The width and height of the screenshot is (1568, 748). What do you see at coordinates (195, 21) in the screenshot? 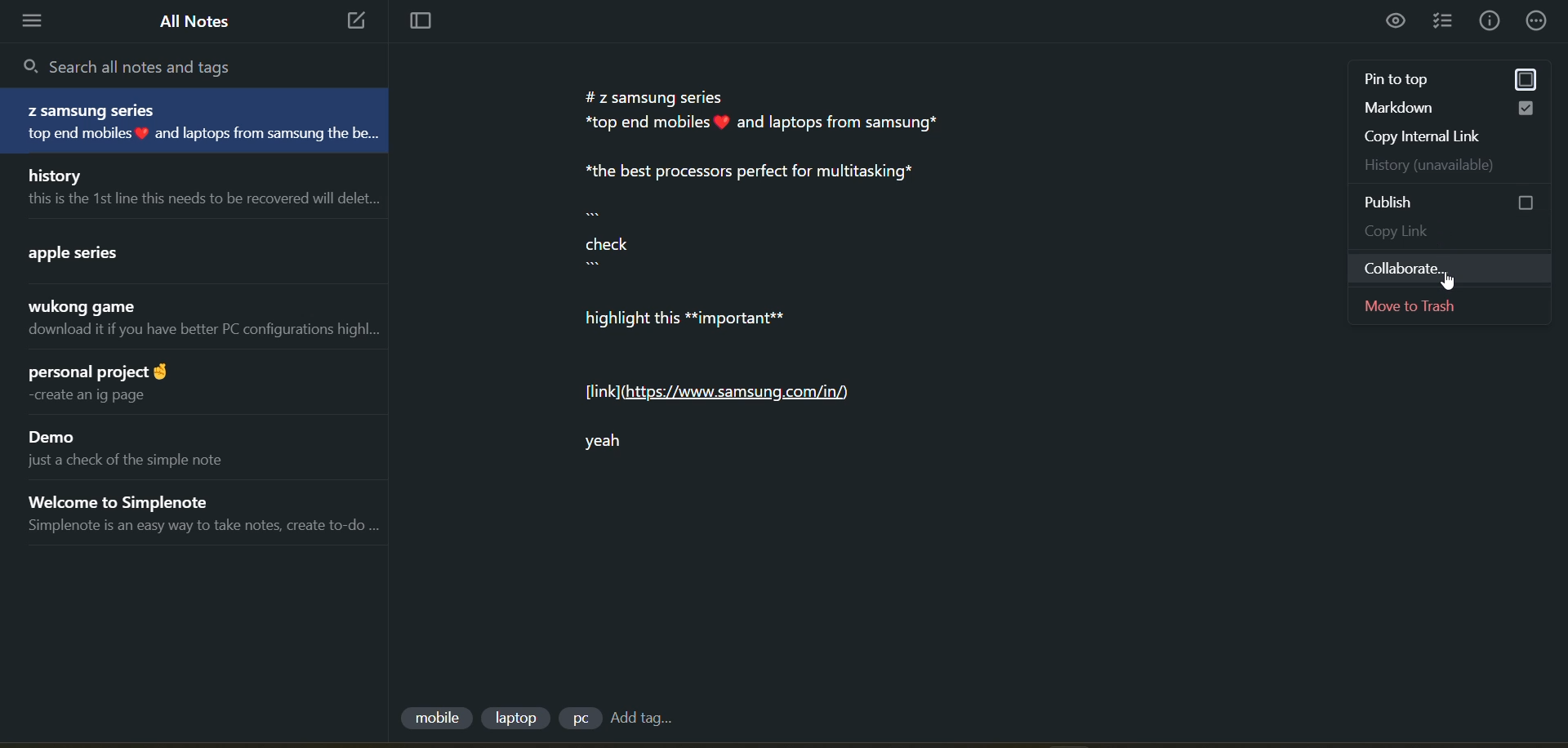
I see `all notes` at bounding box center [195, 21].